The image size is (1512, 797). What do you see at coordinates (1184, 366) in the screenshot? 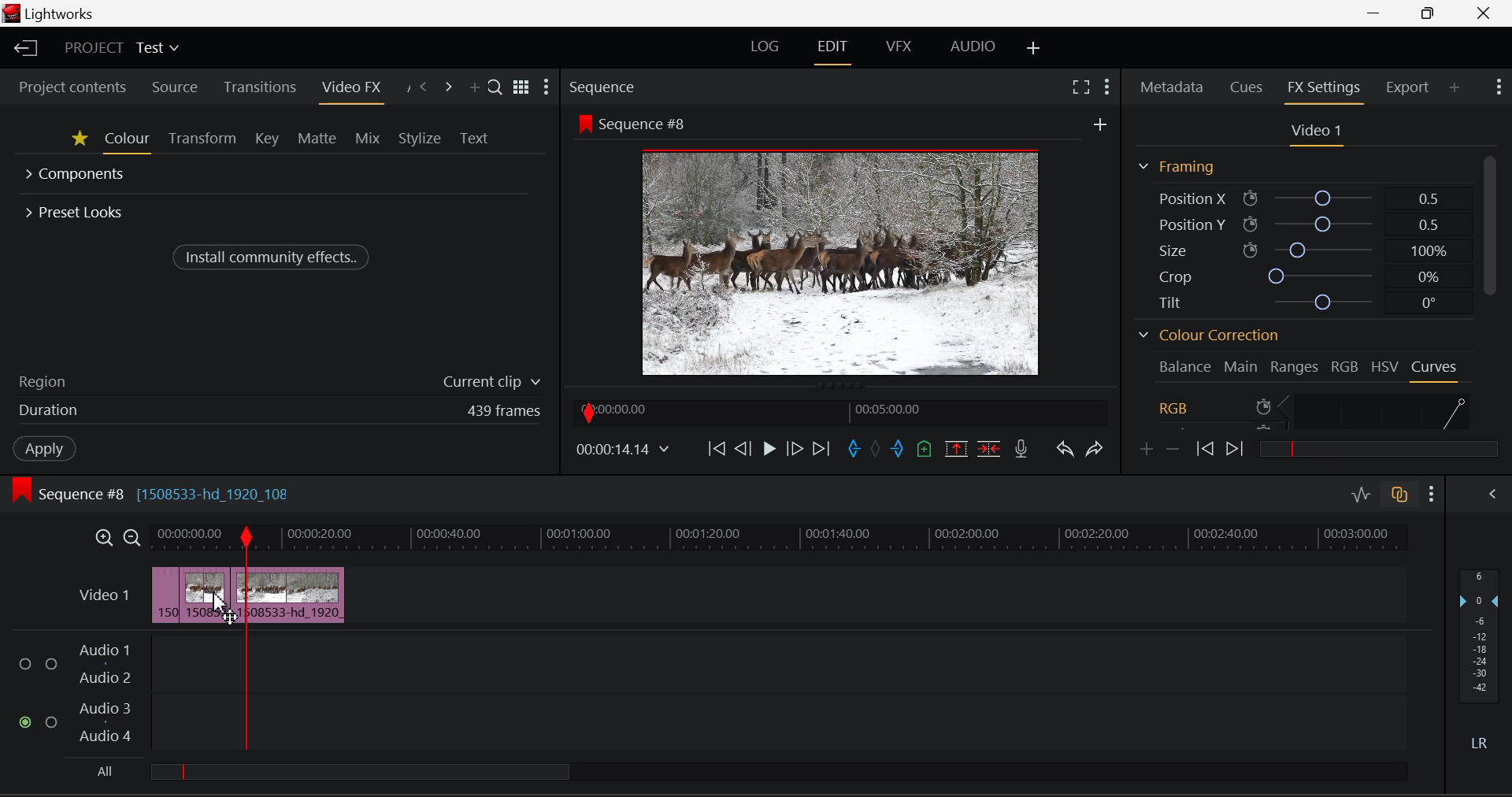
I see `Balance` at bounding box center [1184, 366].